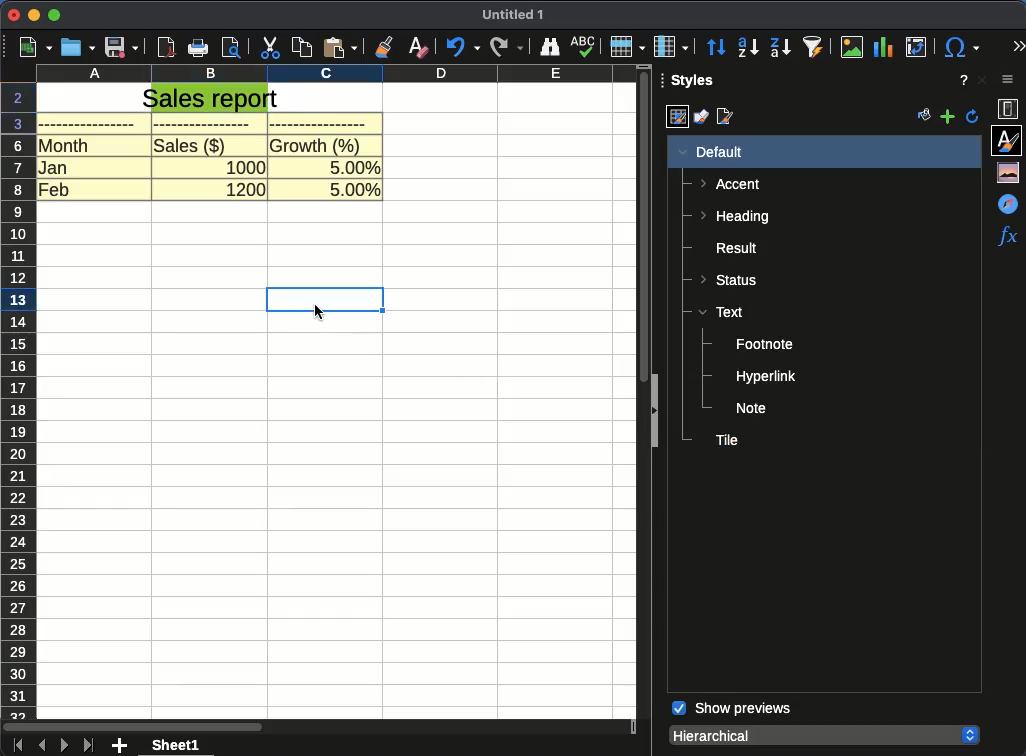 Image resolution: width=1026 pixels, height=756 pixels. I want to click on page styles, so click(728, 117).